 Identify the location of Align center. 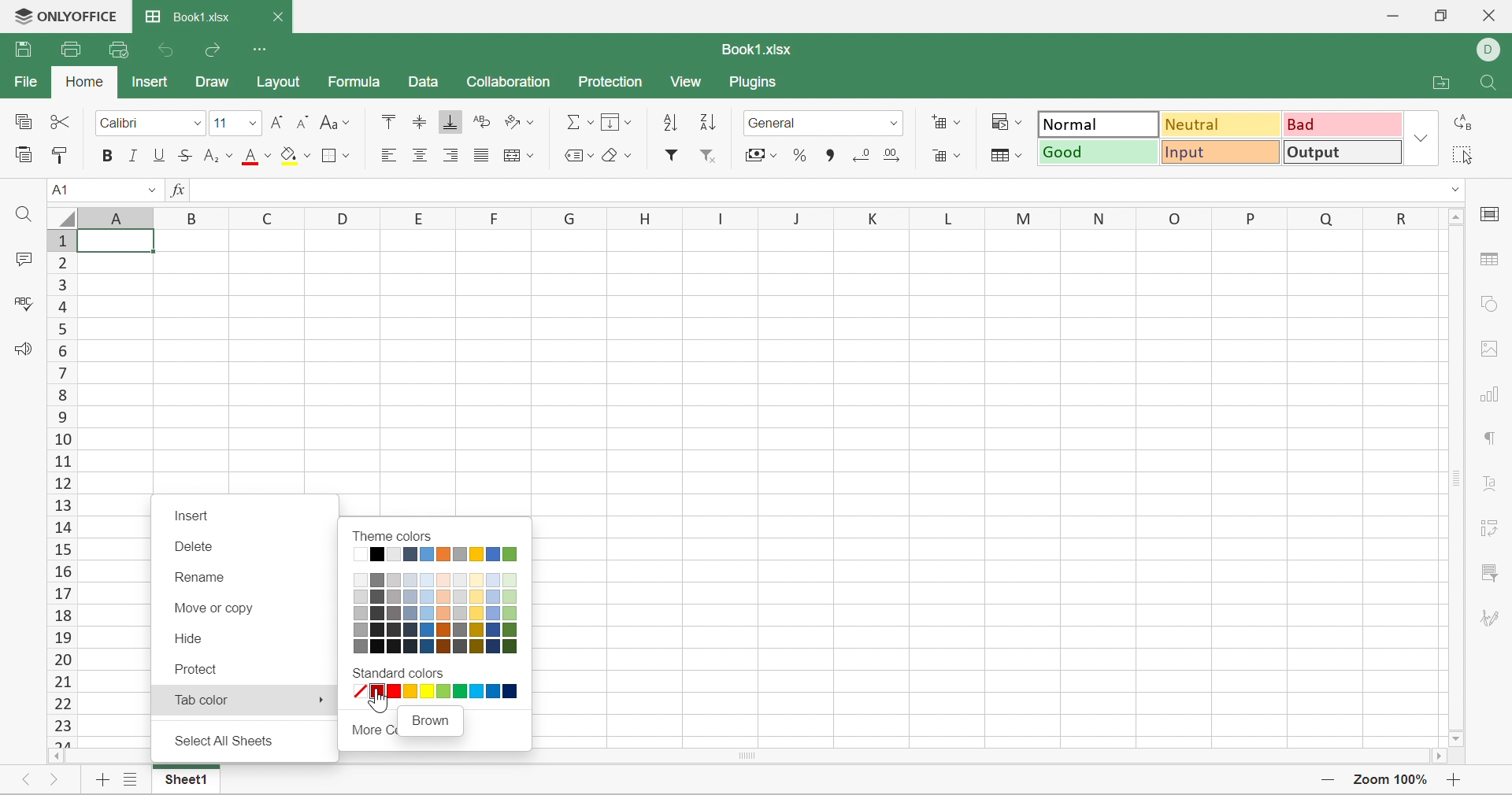
(420, 155).